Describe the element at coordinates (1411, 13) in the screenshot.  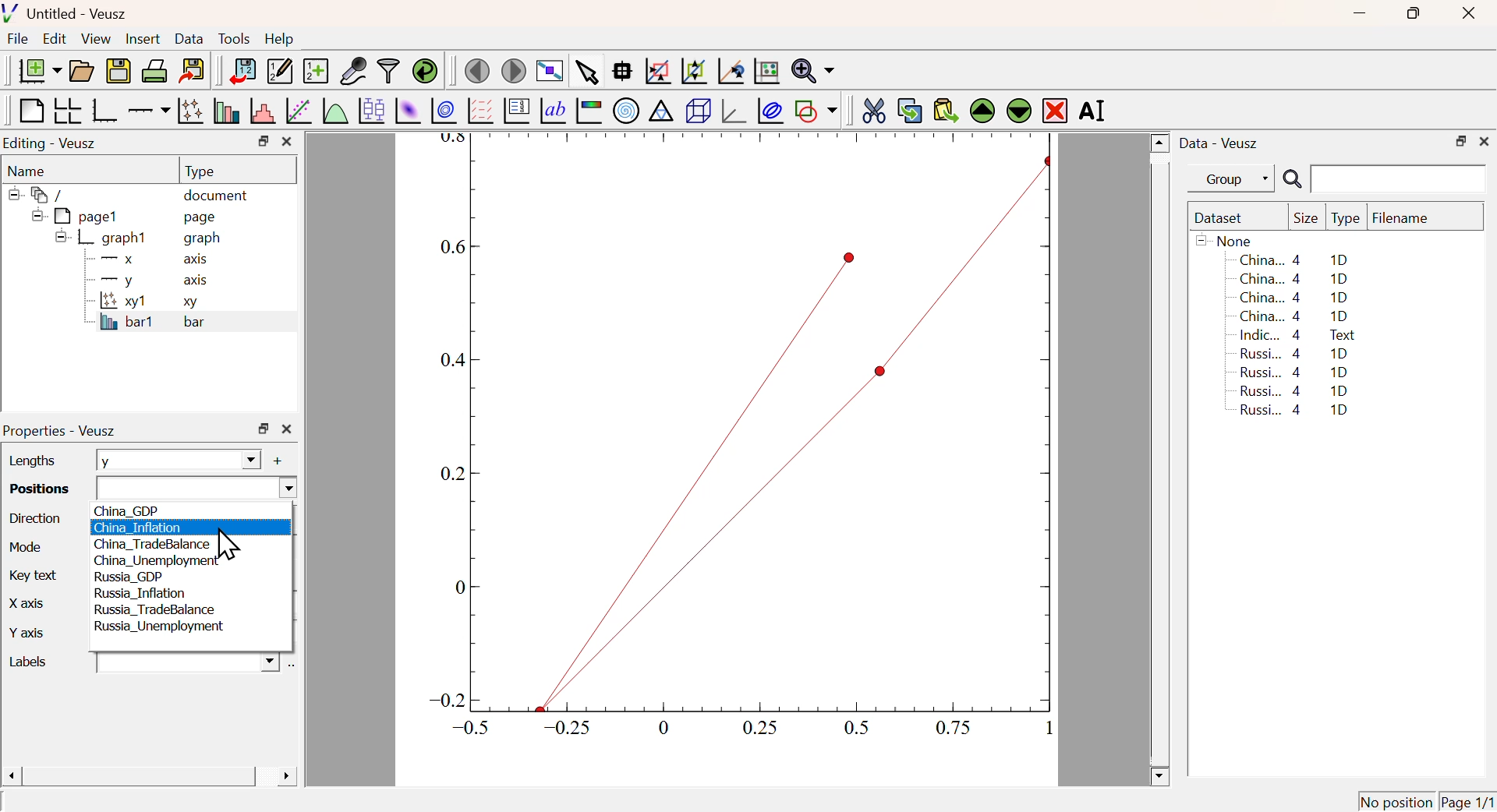
I see `Restore Down` at that location.